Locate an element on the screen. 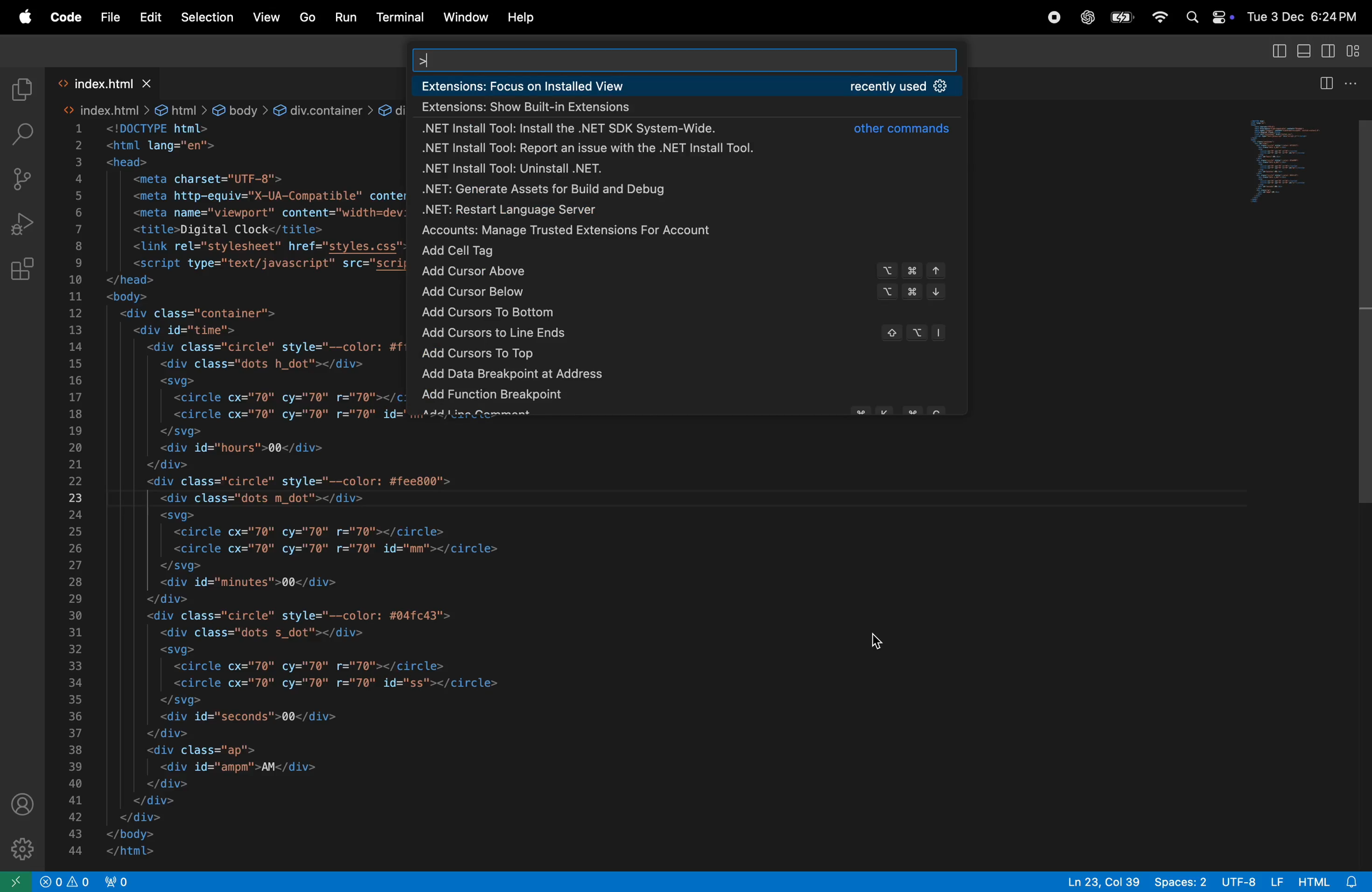 This screenshot has height=892, width=1372. ln 23 col 39 is located at coordinates (1102, 880).